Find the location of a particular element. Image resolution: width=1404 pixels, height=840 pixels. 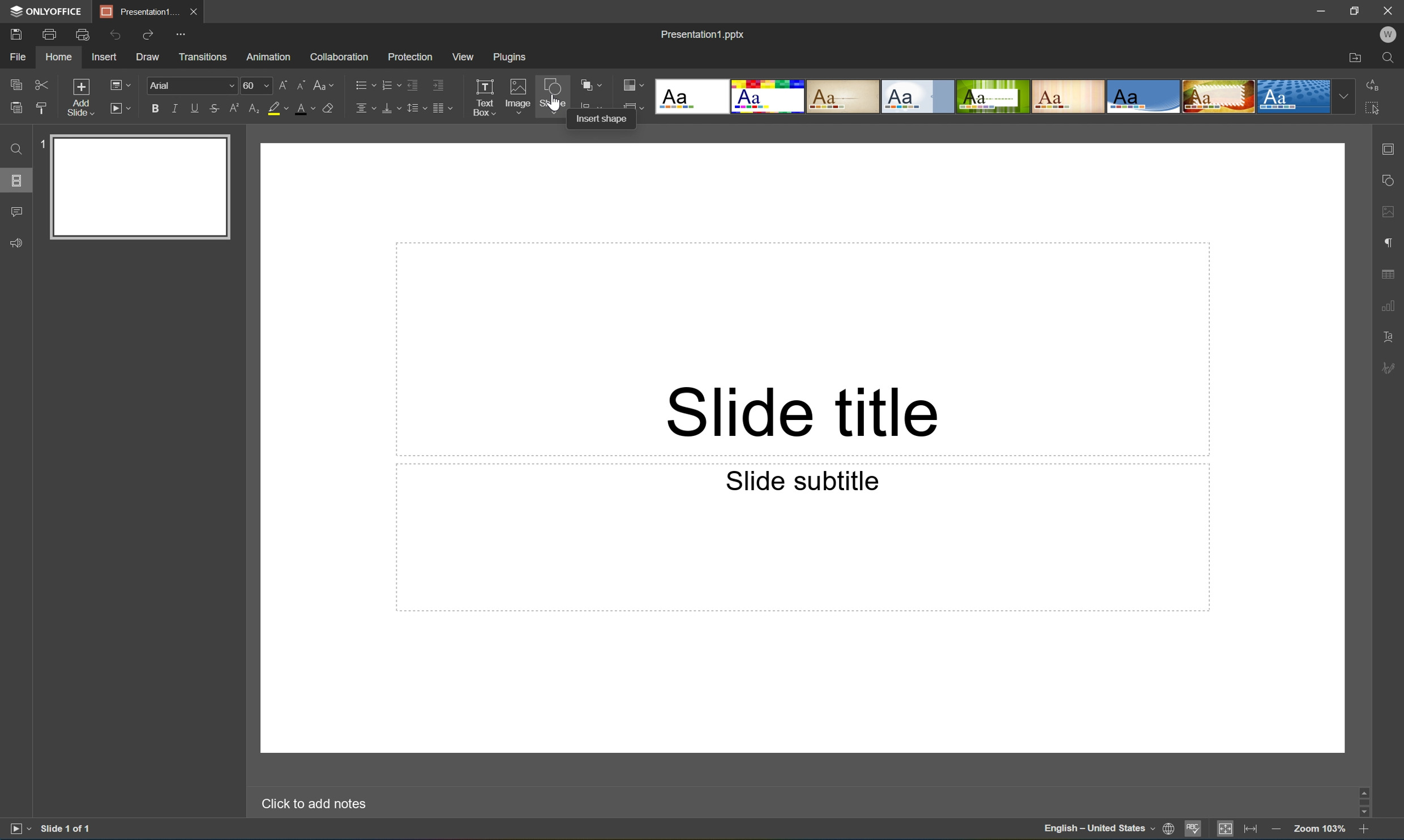

Subscript is located at coordinates (250, 109).